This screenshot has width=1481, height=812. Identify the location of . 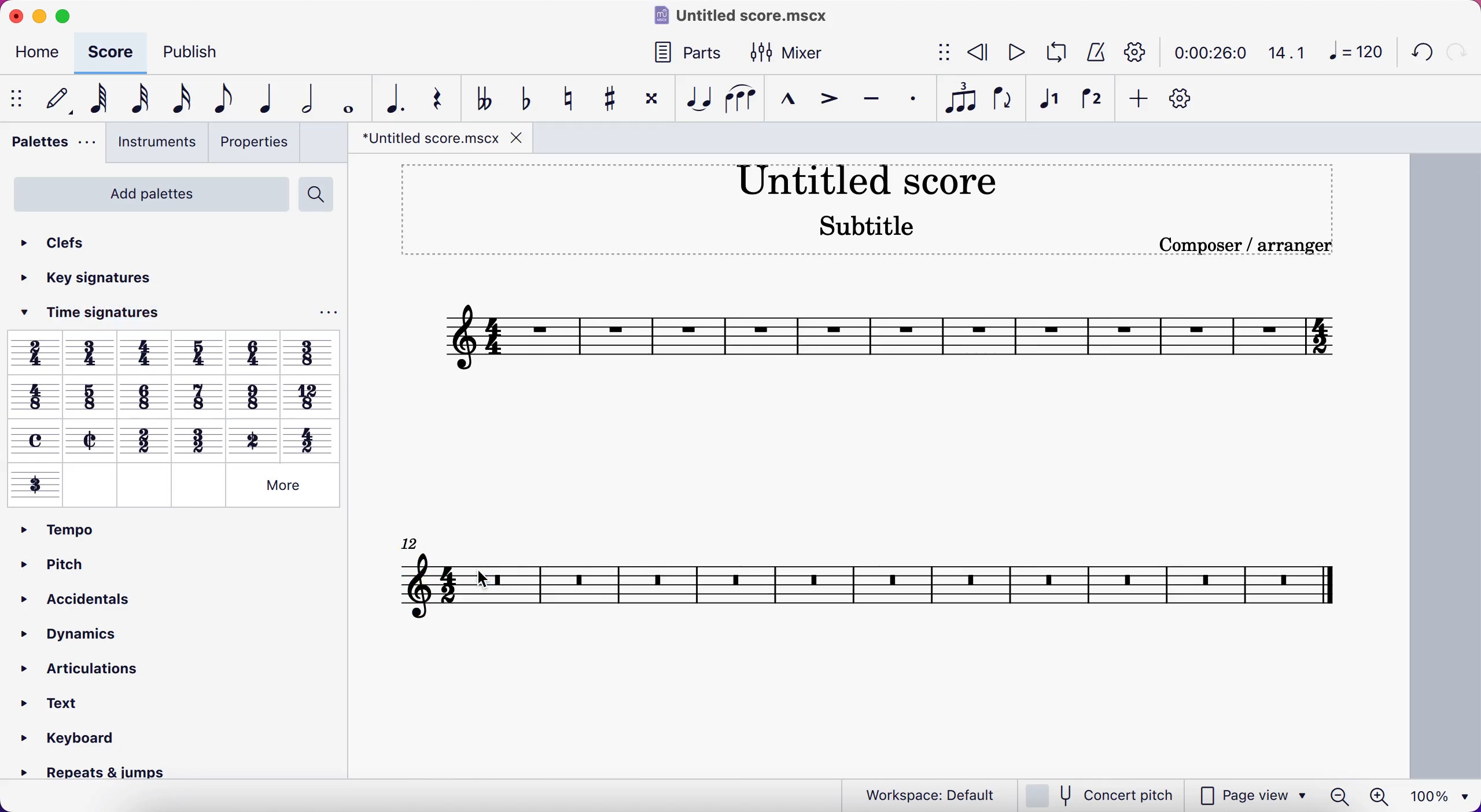
(35, 352).